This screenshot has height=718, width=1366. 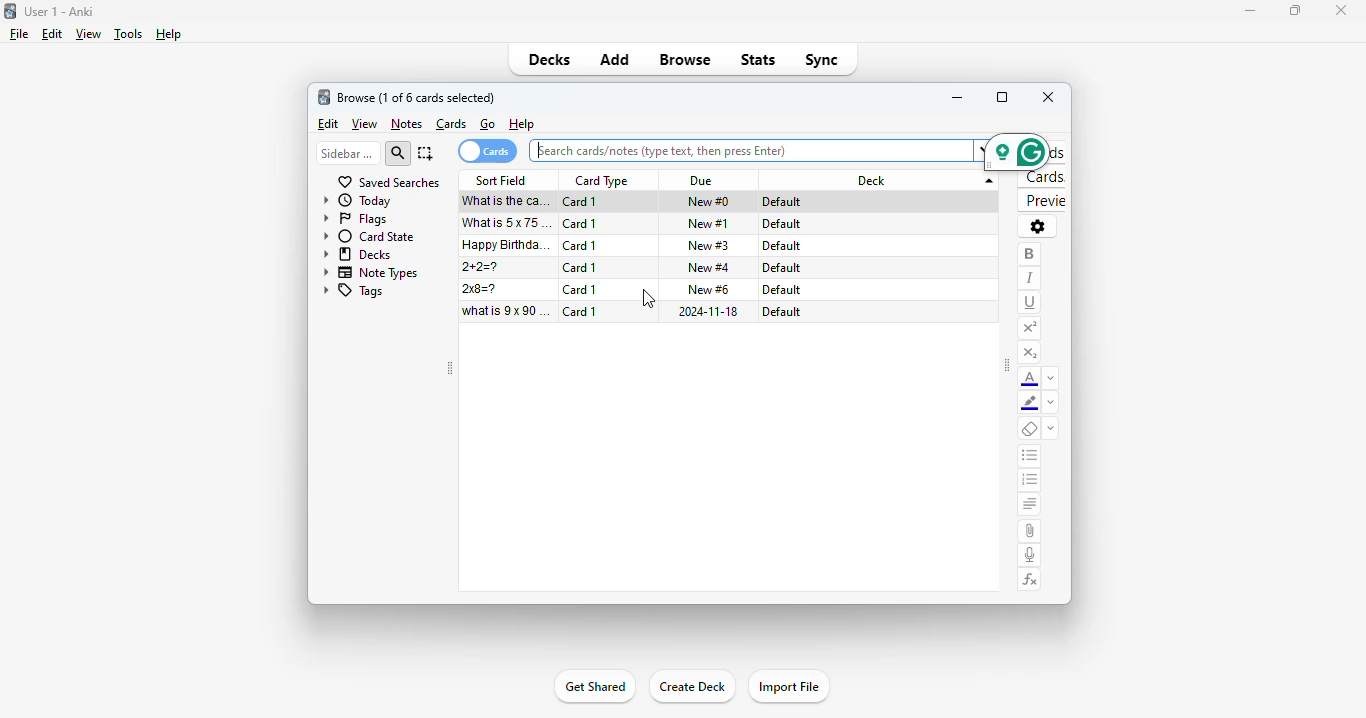 What do you see at coordinates (347, 153) in the screenshot?
I see `sidebar filter` at bounding box center [347, 153].